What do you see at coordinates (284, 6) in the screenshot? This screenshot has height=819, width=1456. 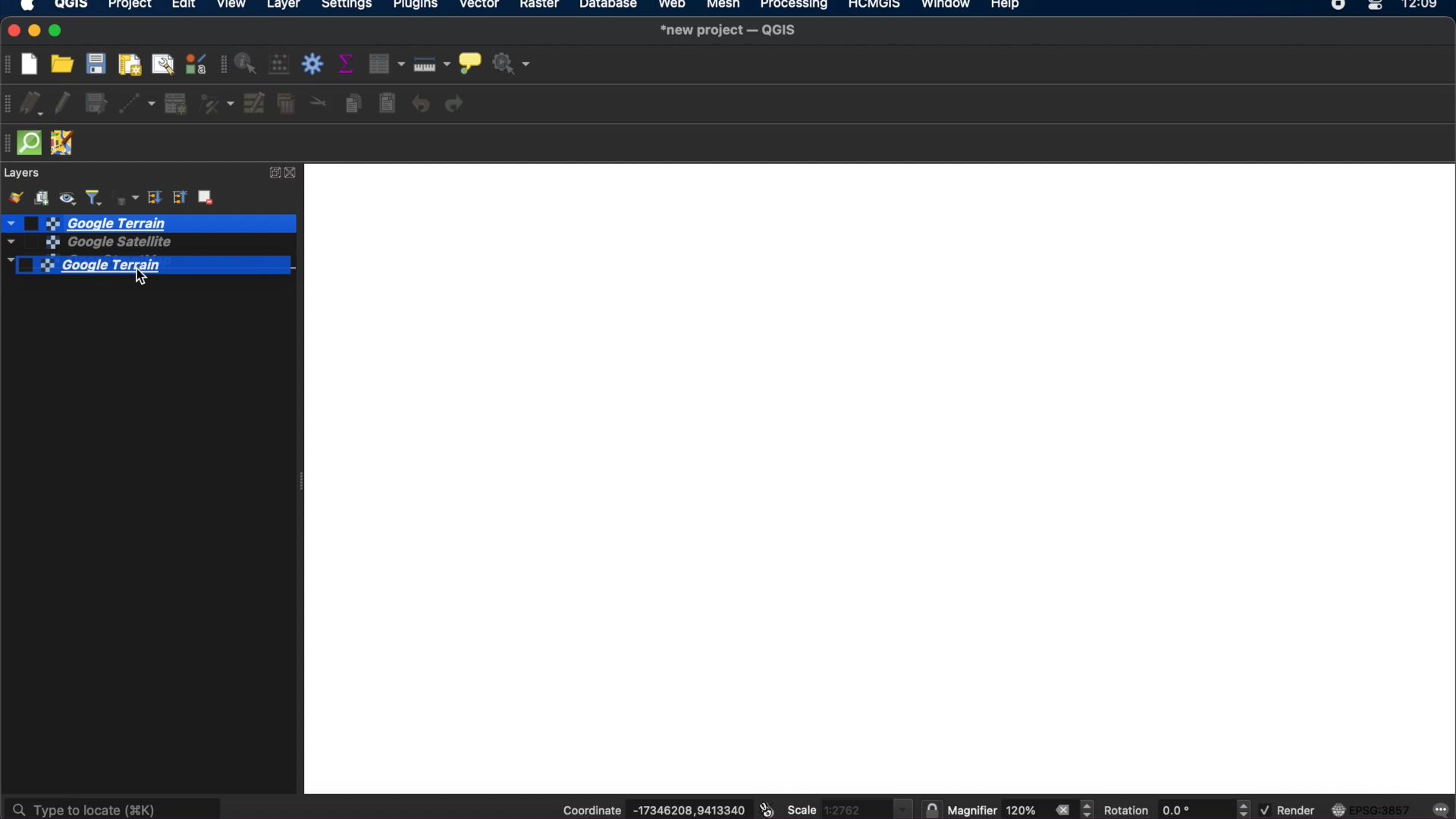 I see `layer` at bounding box center [284, 6].